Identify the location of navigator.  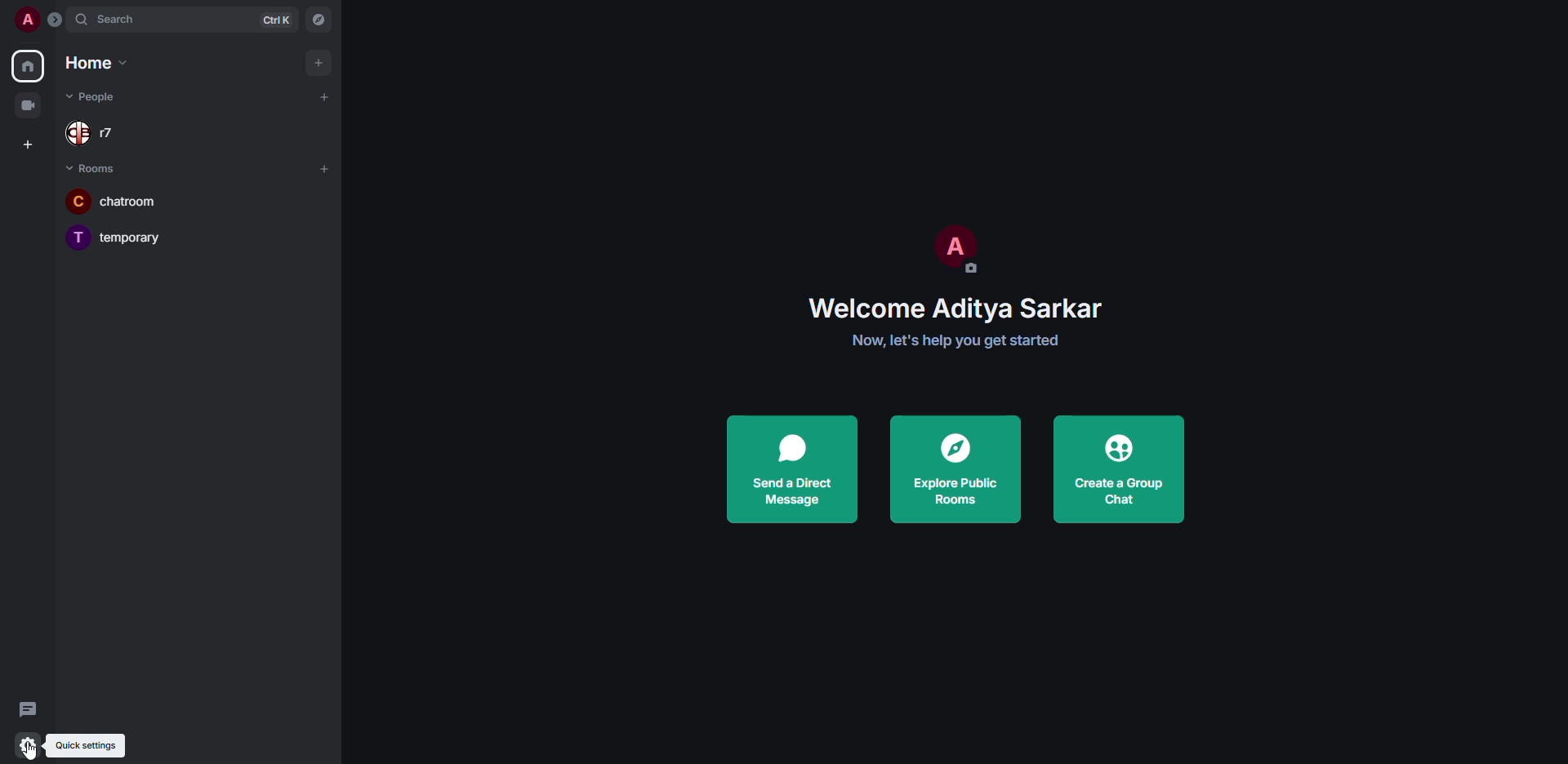
(315, 19).